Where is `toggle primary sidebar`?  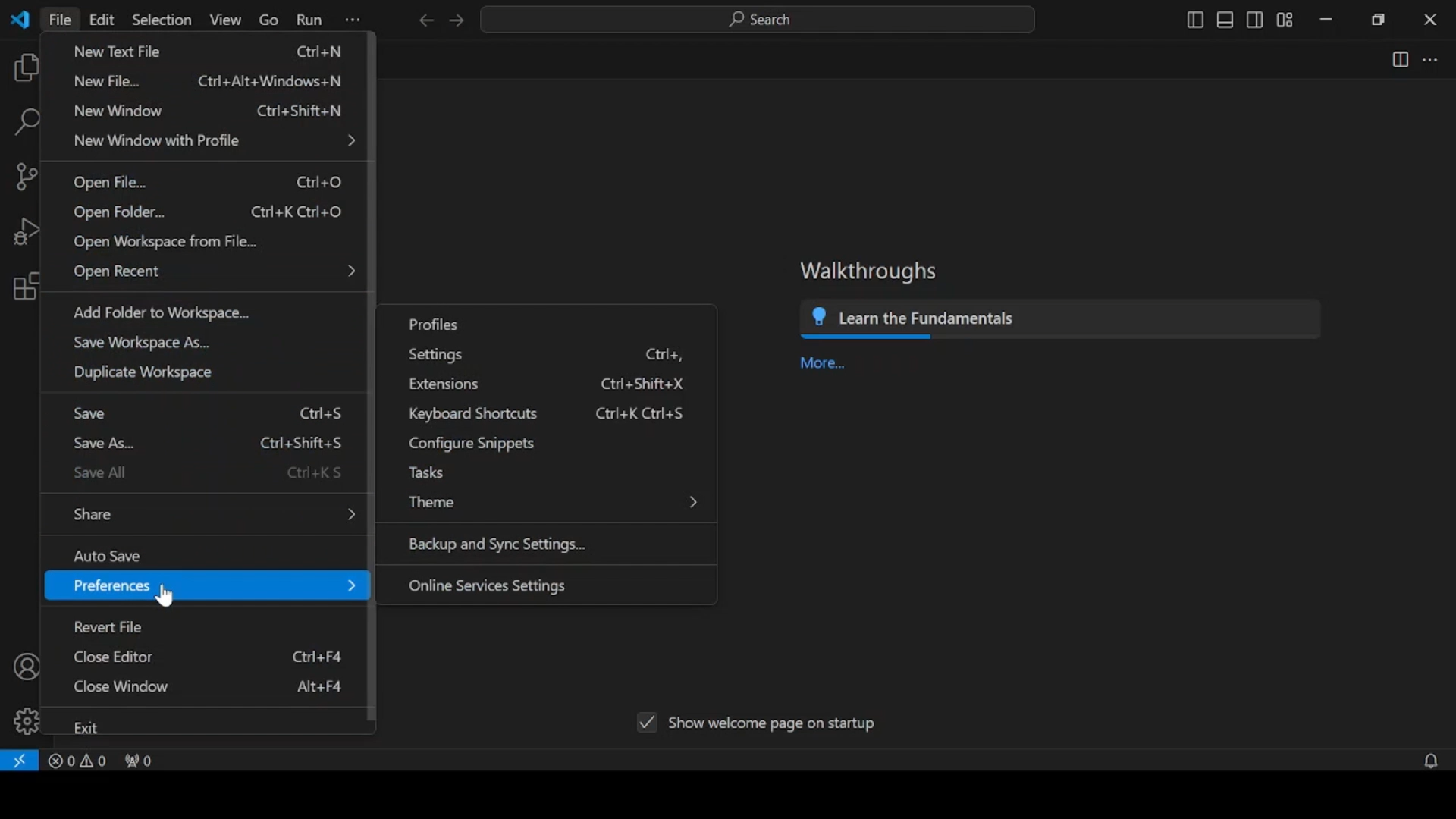
toggle primary sidebar is located at coordinates (1194, 20).